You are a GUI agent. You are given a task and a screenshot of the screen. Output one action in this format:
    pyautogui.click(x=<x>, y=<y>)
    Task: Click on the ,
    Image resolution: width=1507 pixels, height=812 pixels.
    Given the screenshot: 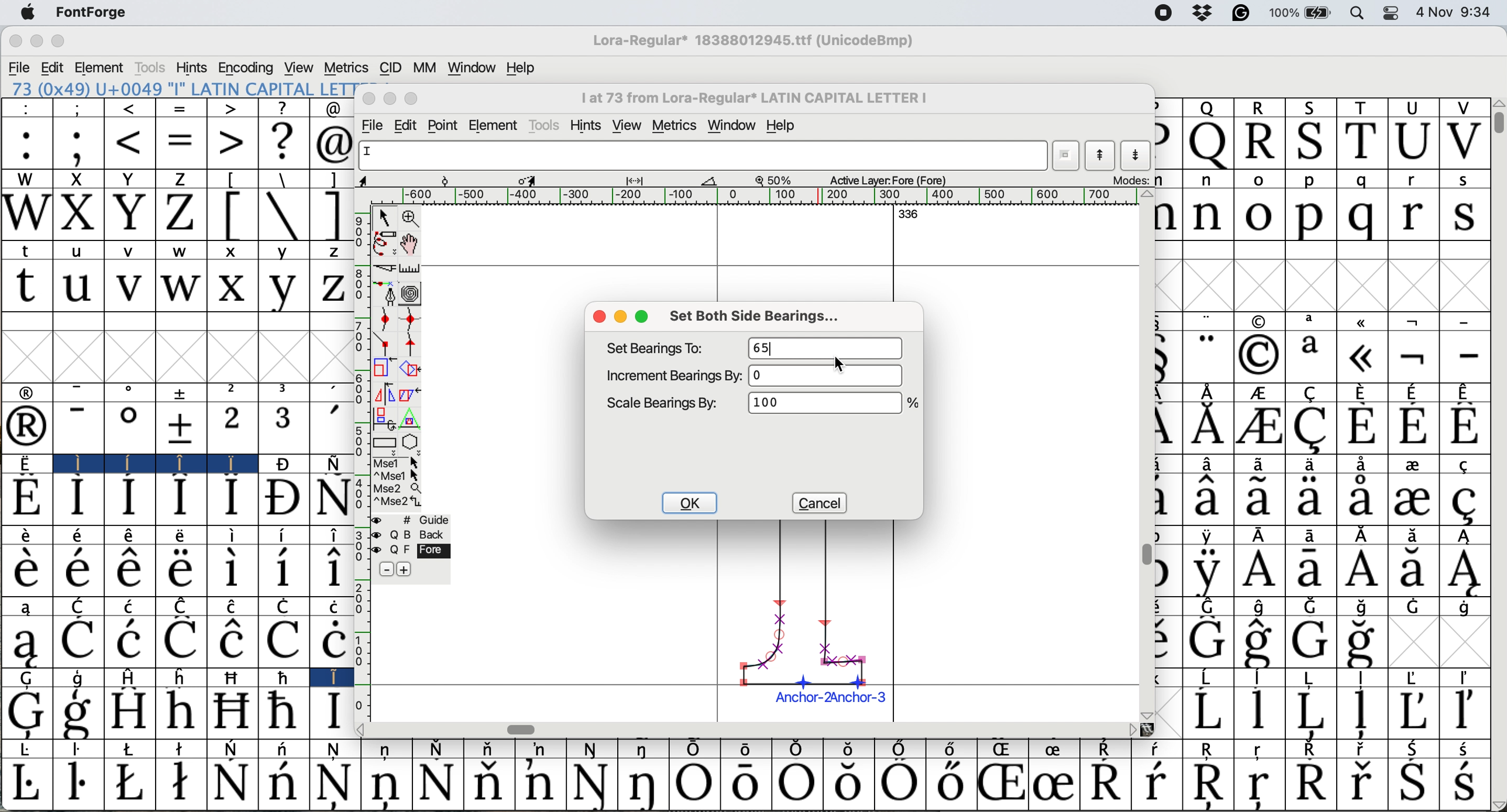 What is the action you would take?
    pyautogui.click(x=334, y=393)
    